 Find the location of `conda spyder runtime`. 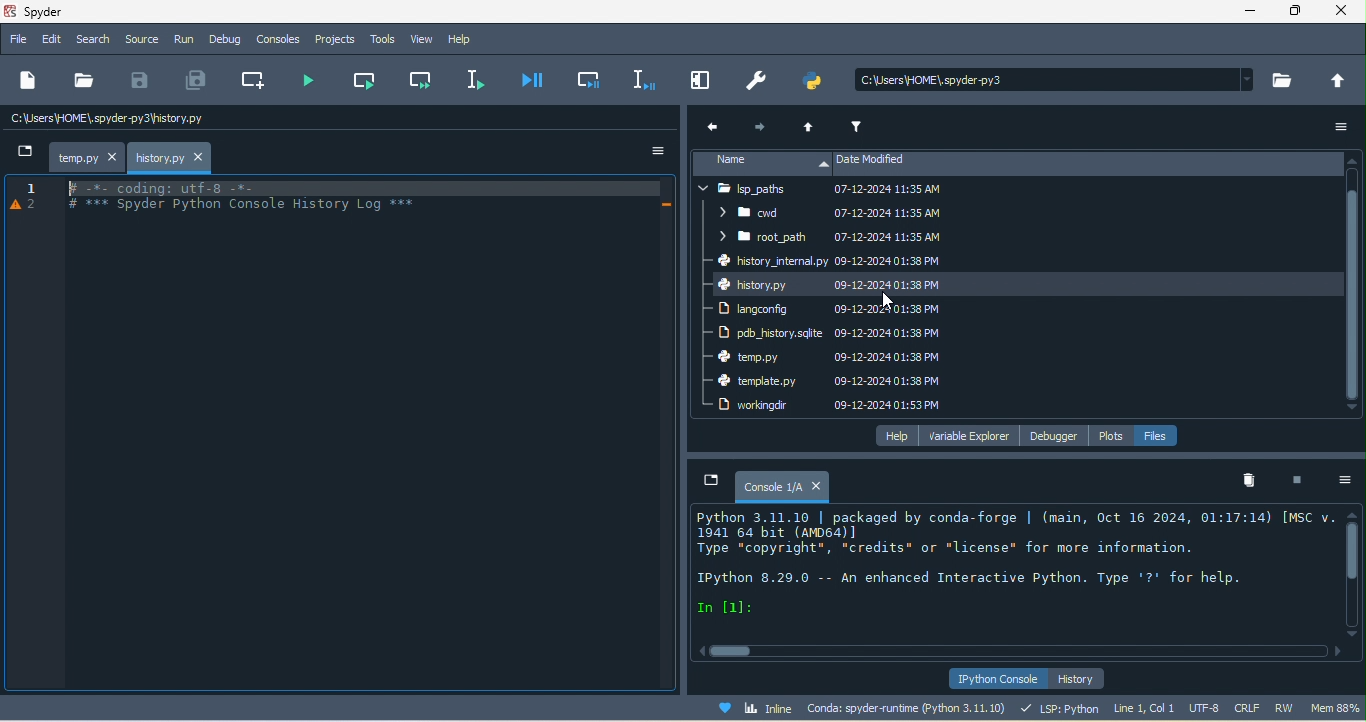

conda spyder runtime is located at coordinates (857, 708).